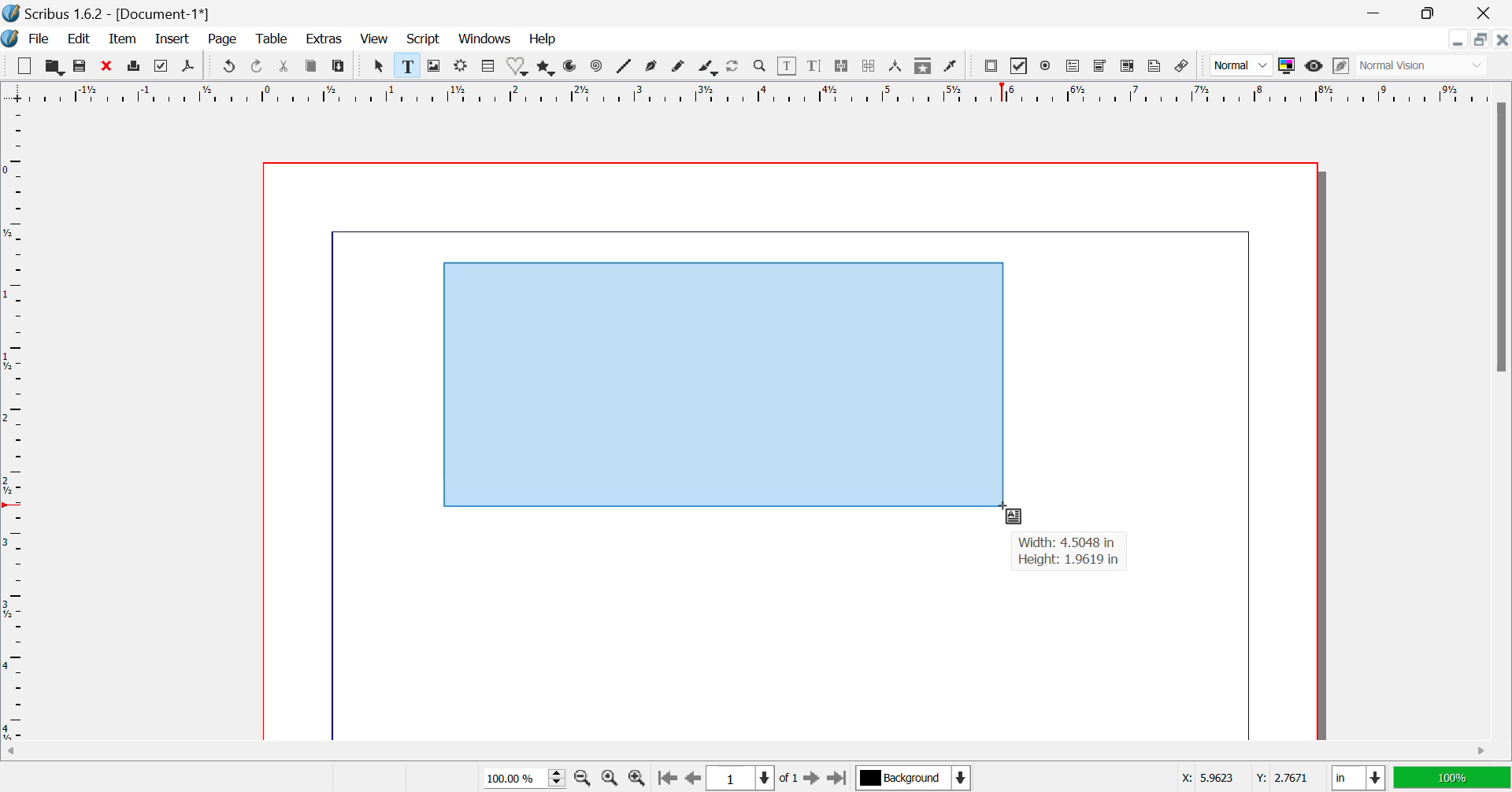 The height and width of the screenshot is (792, 1512). What do you see at coordinates (272, 41) in the screenshot?
I see `Table` at bounding box center [272, 41].